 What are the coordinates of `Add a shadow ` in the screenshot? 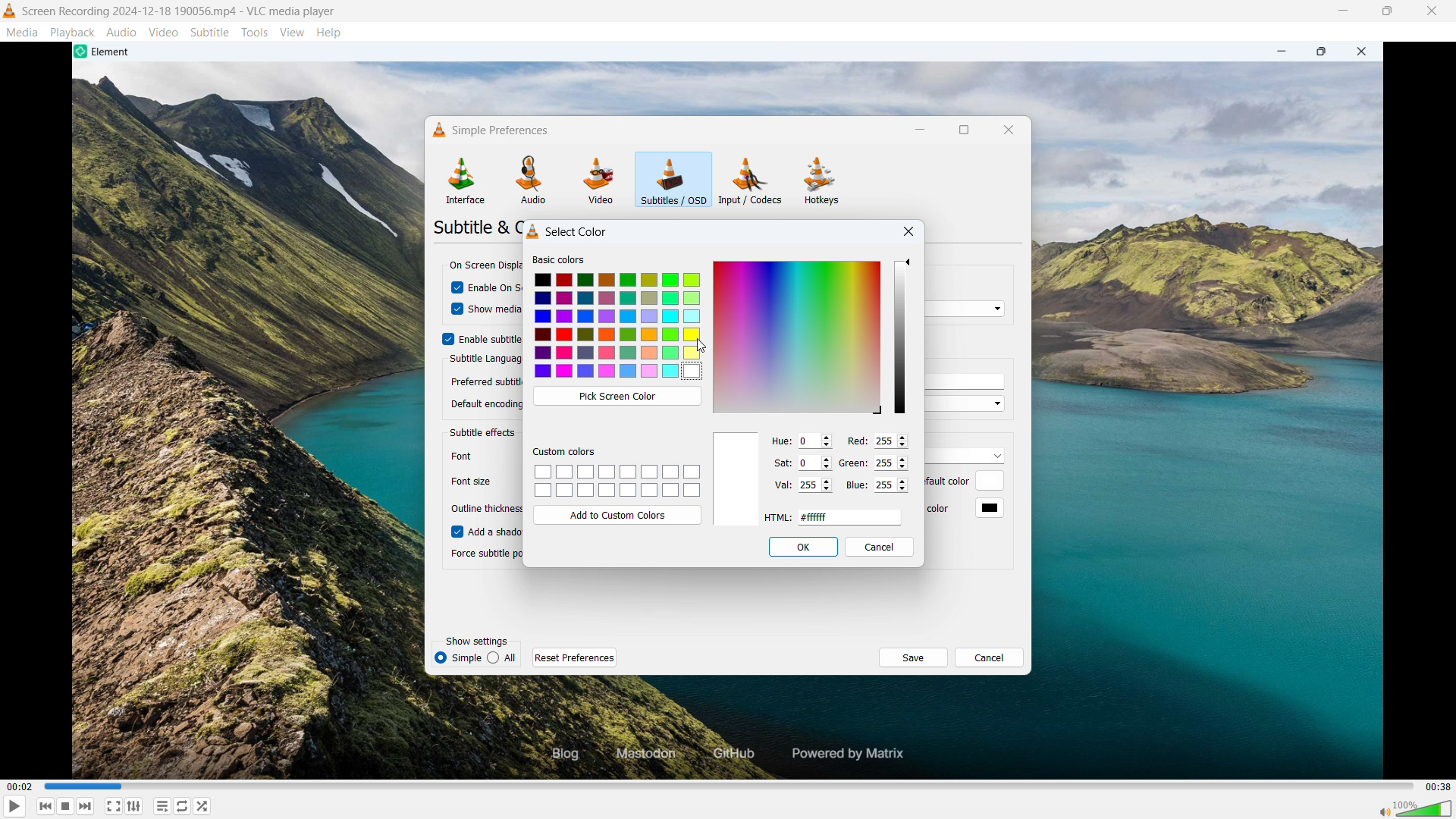 It's located at (494, 531).